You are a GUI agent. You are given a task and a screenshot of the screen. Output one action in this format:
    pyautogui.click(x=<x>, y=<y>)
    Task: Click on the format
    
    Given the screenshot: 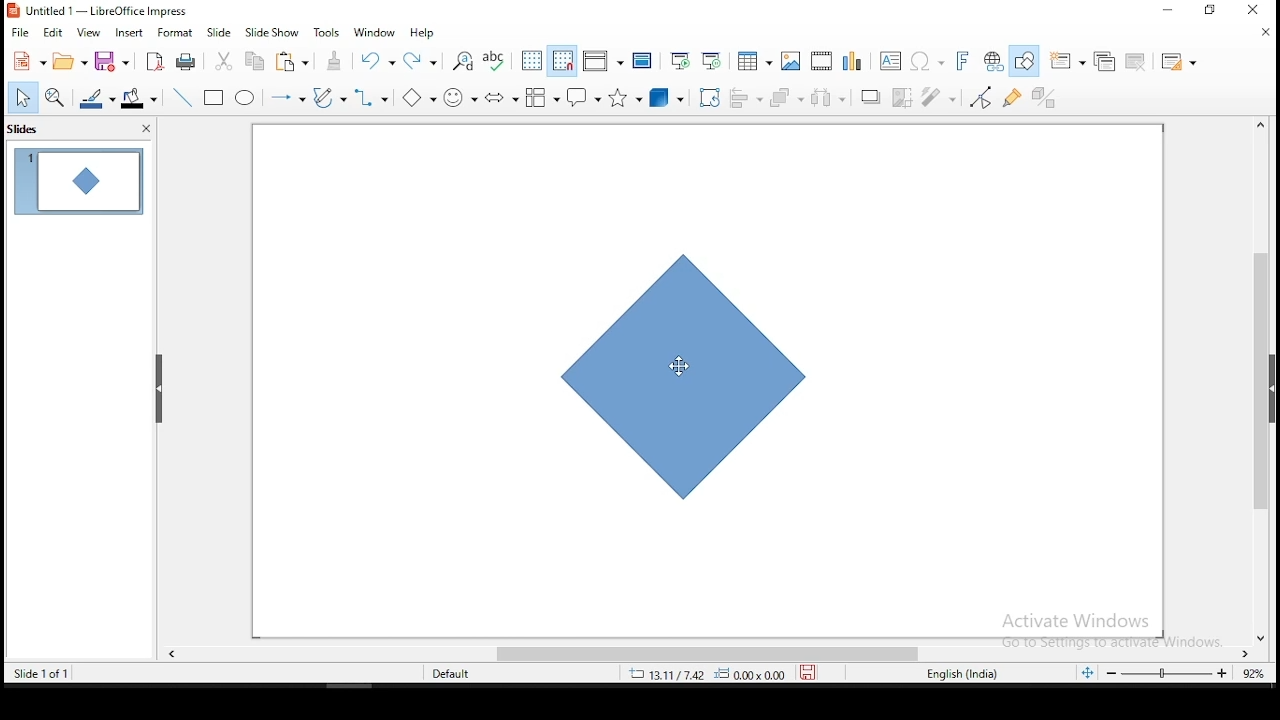 What is the action you would take?
    pyautogui.click(x=179, y=31)
    